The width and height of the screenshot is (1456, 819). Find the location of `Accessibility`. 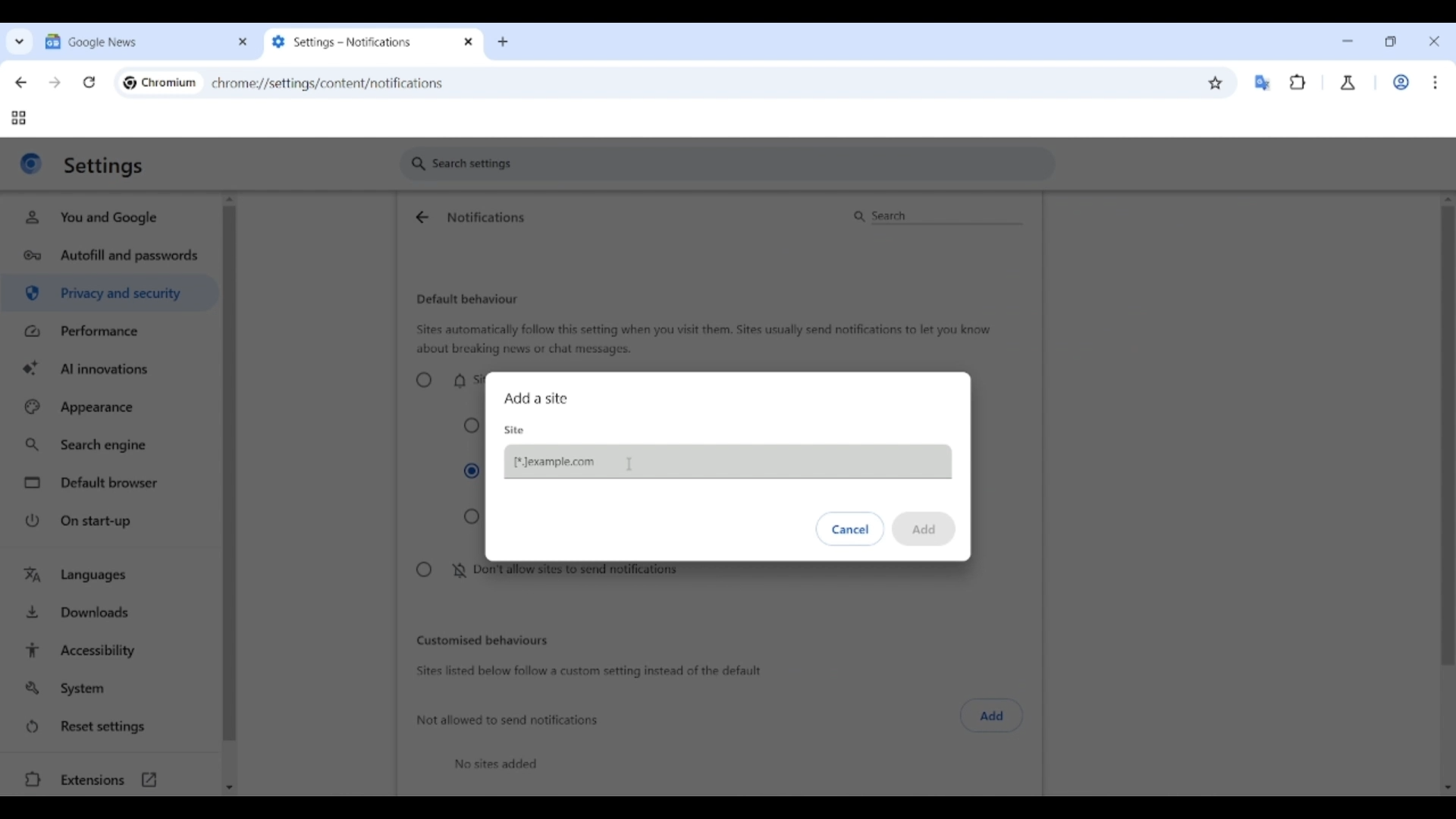

Accessibility is located at coordinates (111, 651).